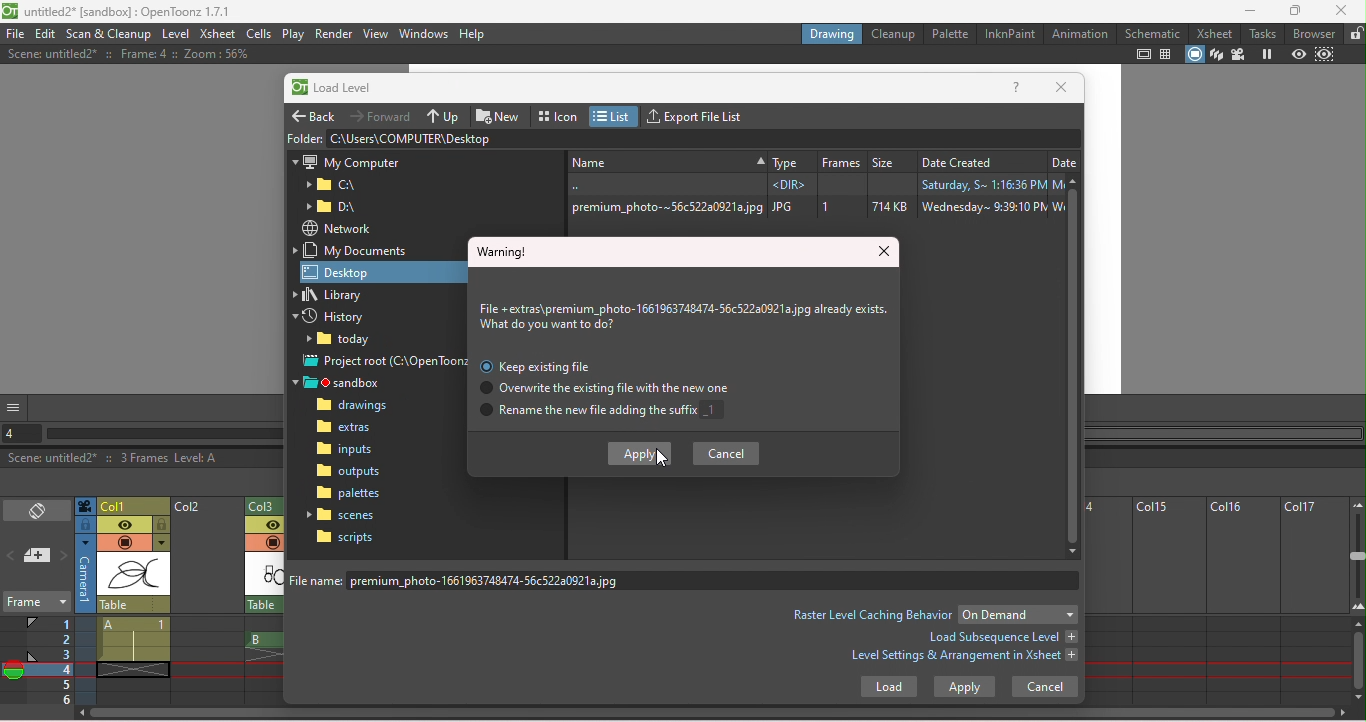 This screenshot has width=1366, height=722. Describe the element at coordinates (130, 669) in the screenshot. I see `cell` at that location.